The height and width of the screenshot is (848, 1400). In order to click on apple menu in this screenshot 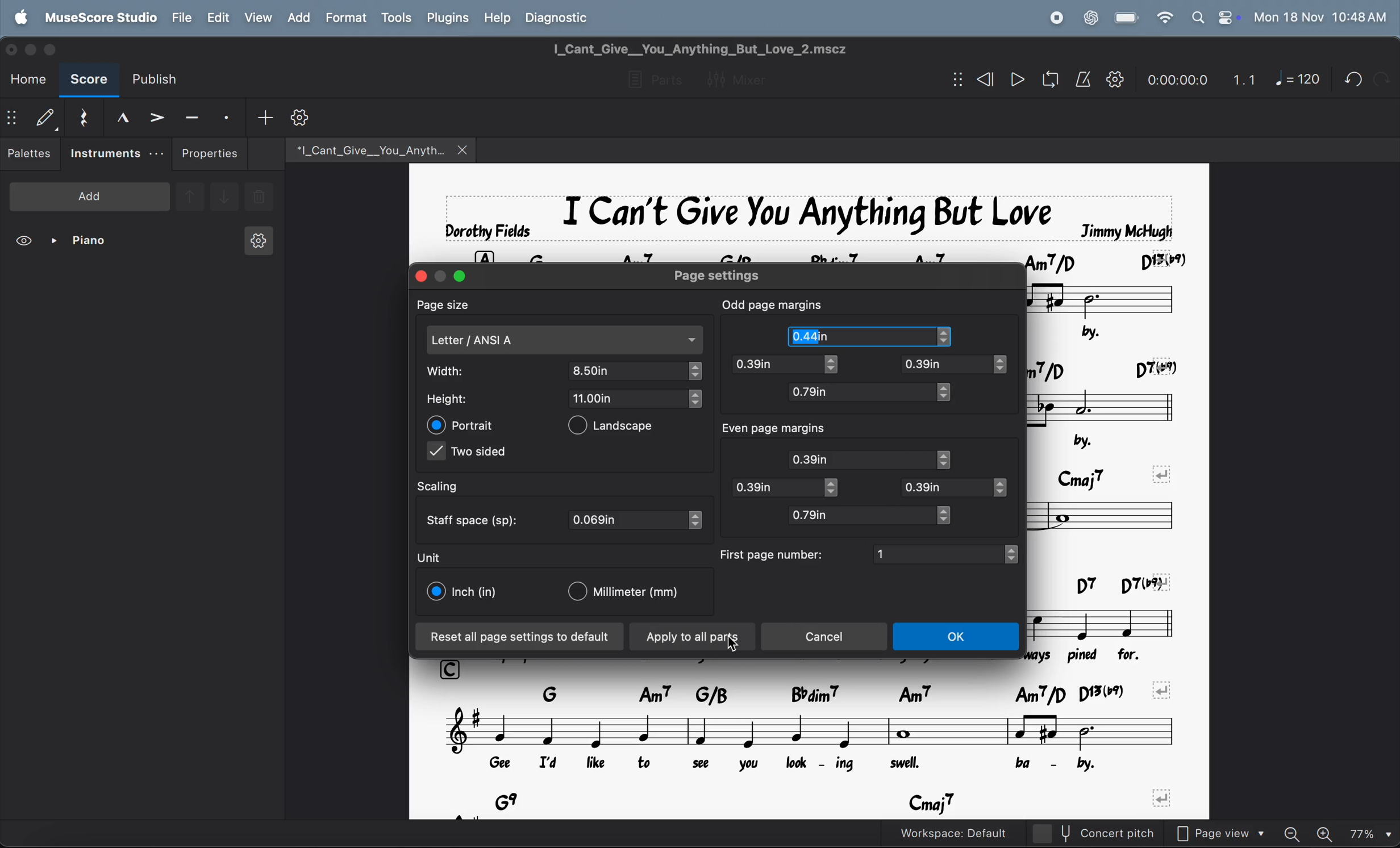, I will do `click(23, 16)`.